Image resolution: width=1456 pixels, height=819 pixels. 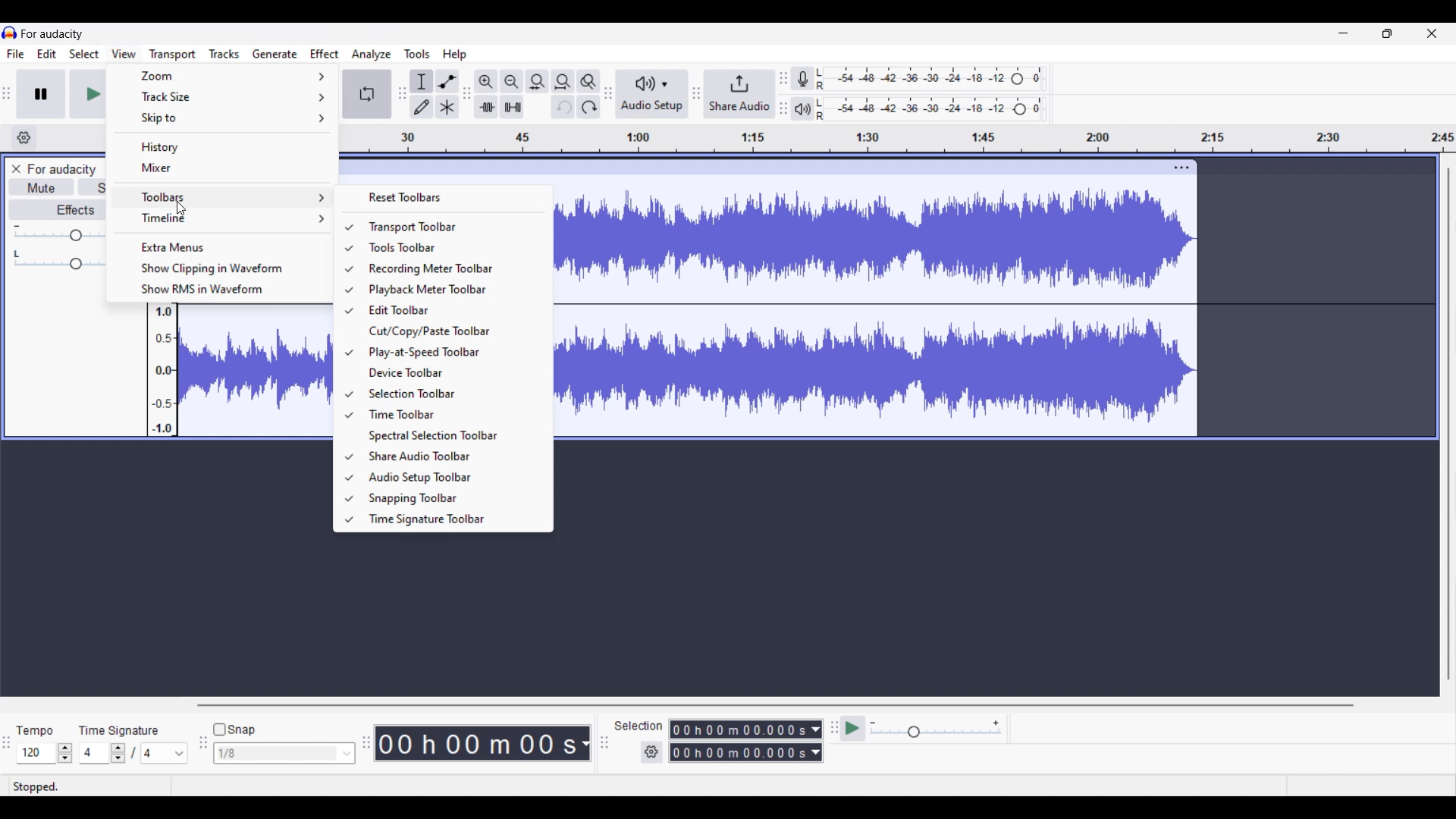 What do you see at coordinates (223, 146) in the screenshot?
I see `History` at bounding box center [223, 146].